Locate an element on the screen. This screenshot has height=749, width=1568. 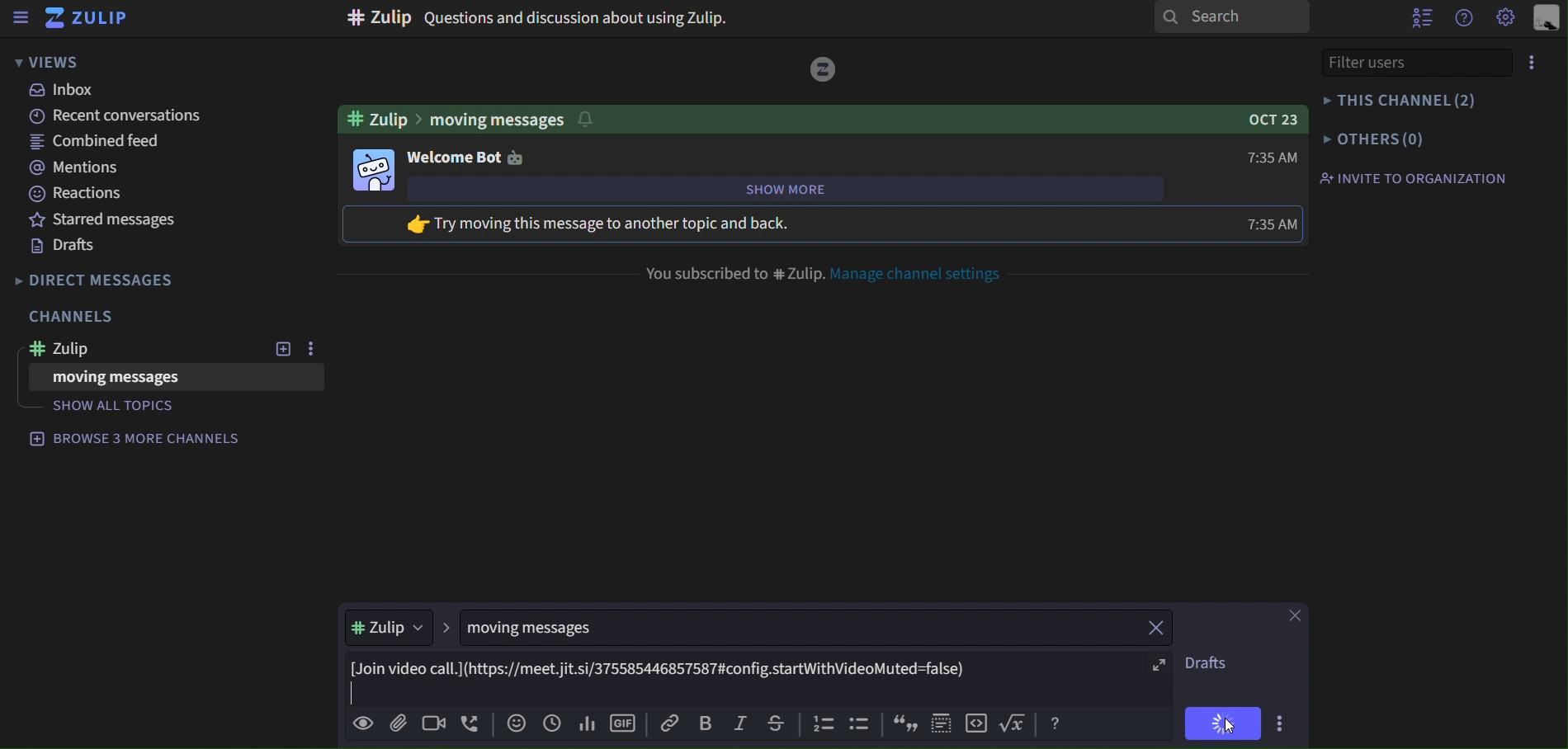
drafts is located at coordinates (1216, 662).